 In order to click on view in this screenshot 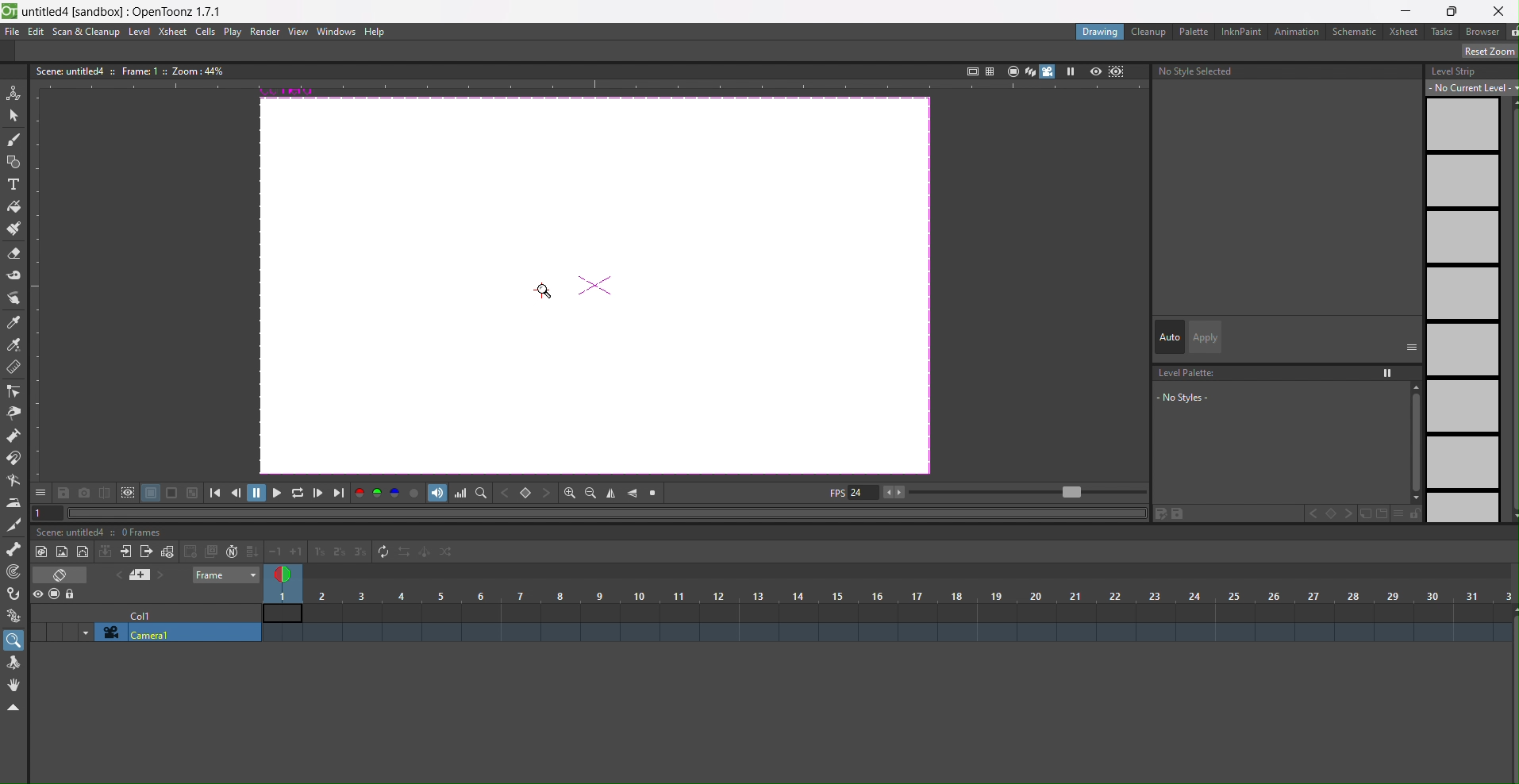, I will do `click(298, 32)`.